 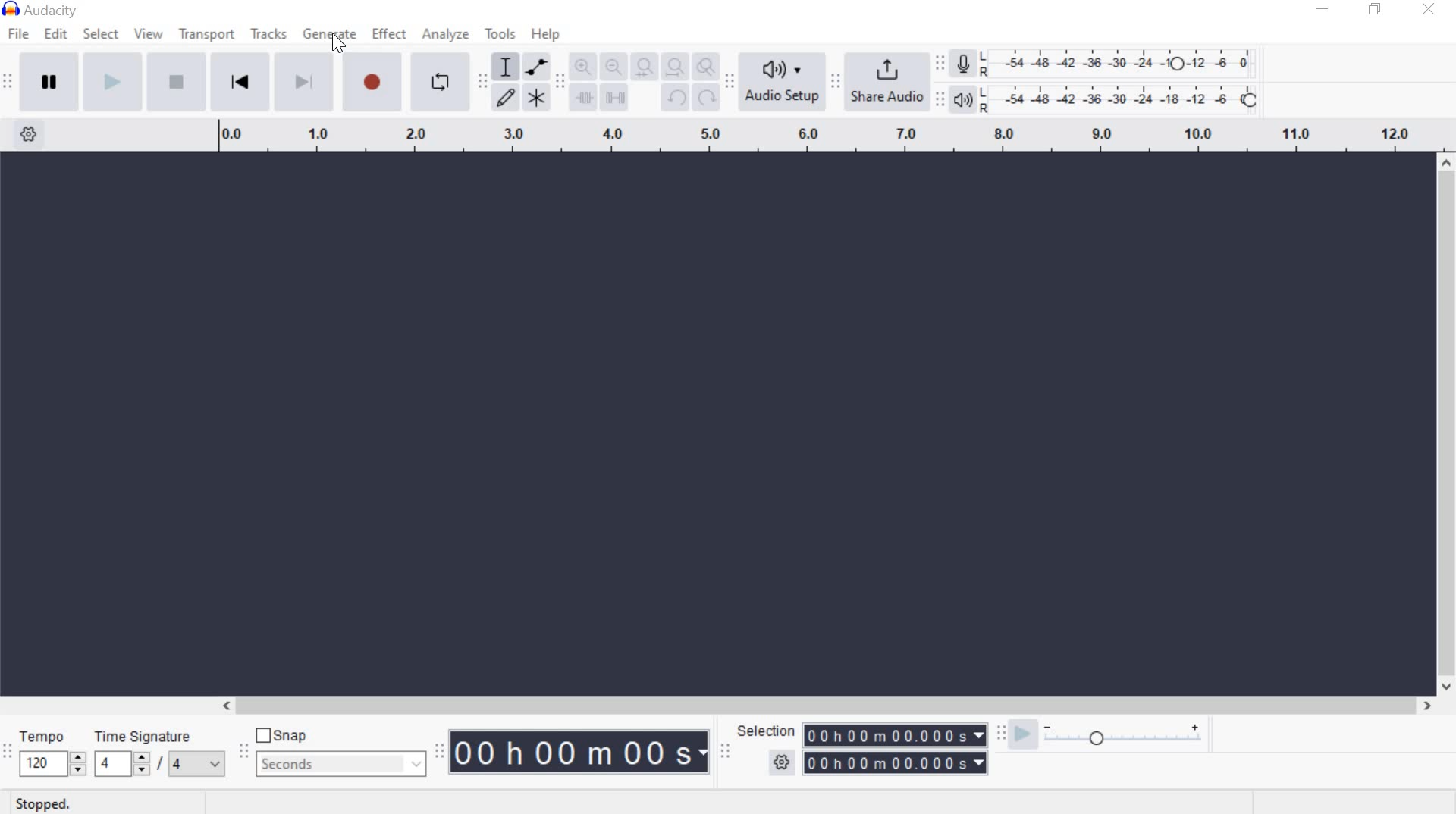 What do you see at coordinates (822, 705) in the screenshot?
I see `scrollbar` at bounding box center [822, 705].